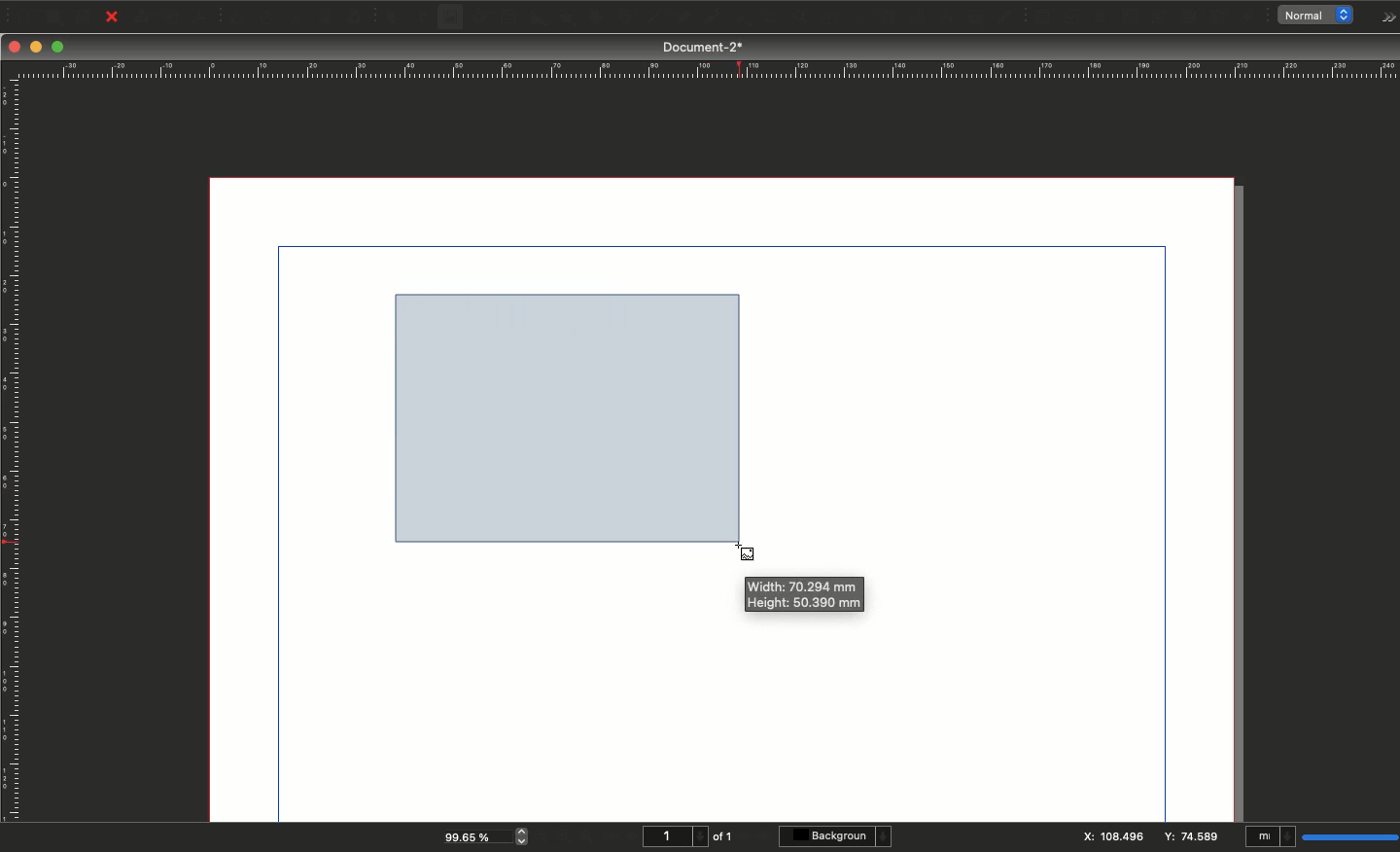  What do you see at coordinates (421, 19) in the screenshot?
I see `Text frame` at bounding box center [421, 19].